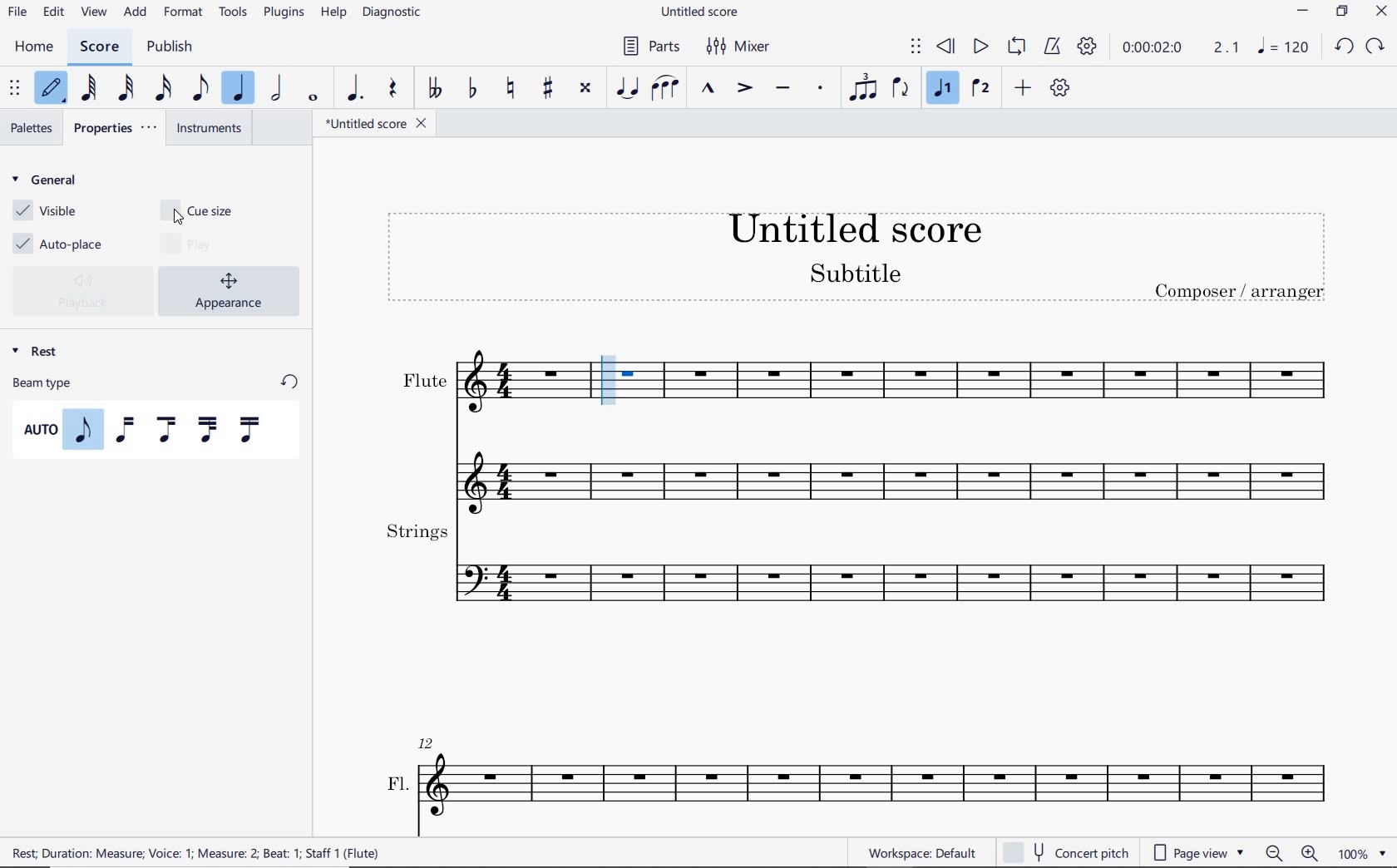 This screenshot has height=868, width=1397. Describe the element at coordinates (210, 852) in the screenshot. I see `REST DURATION` at that location.